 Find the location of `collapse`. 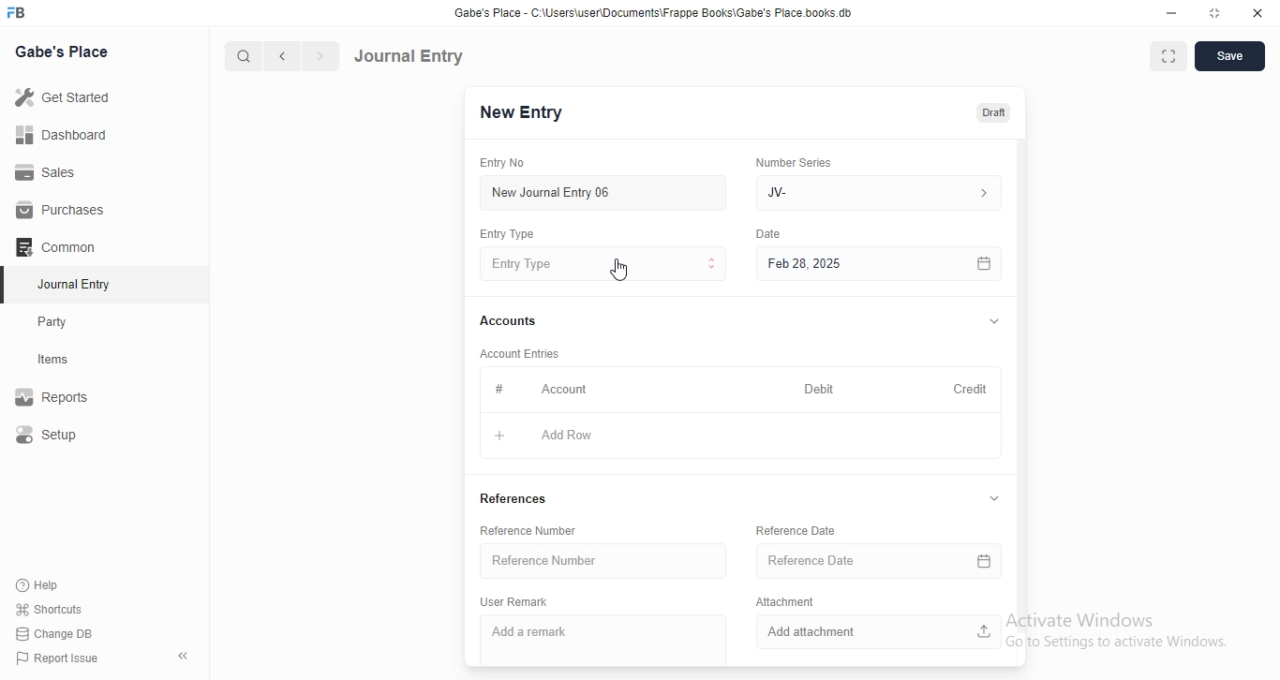

collapse is located at coordinates (995, 498).